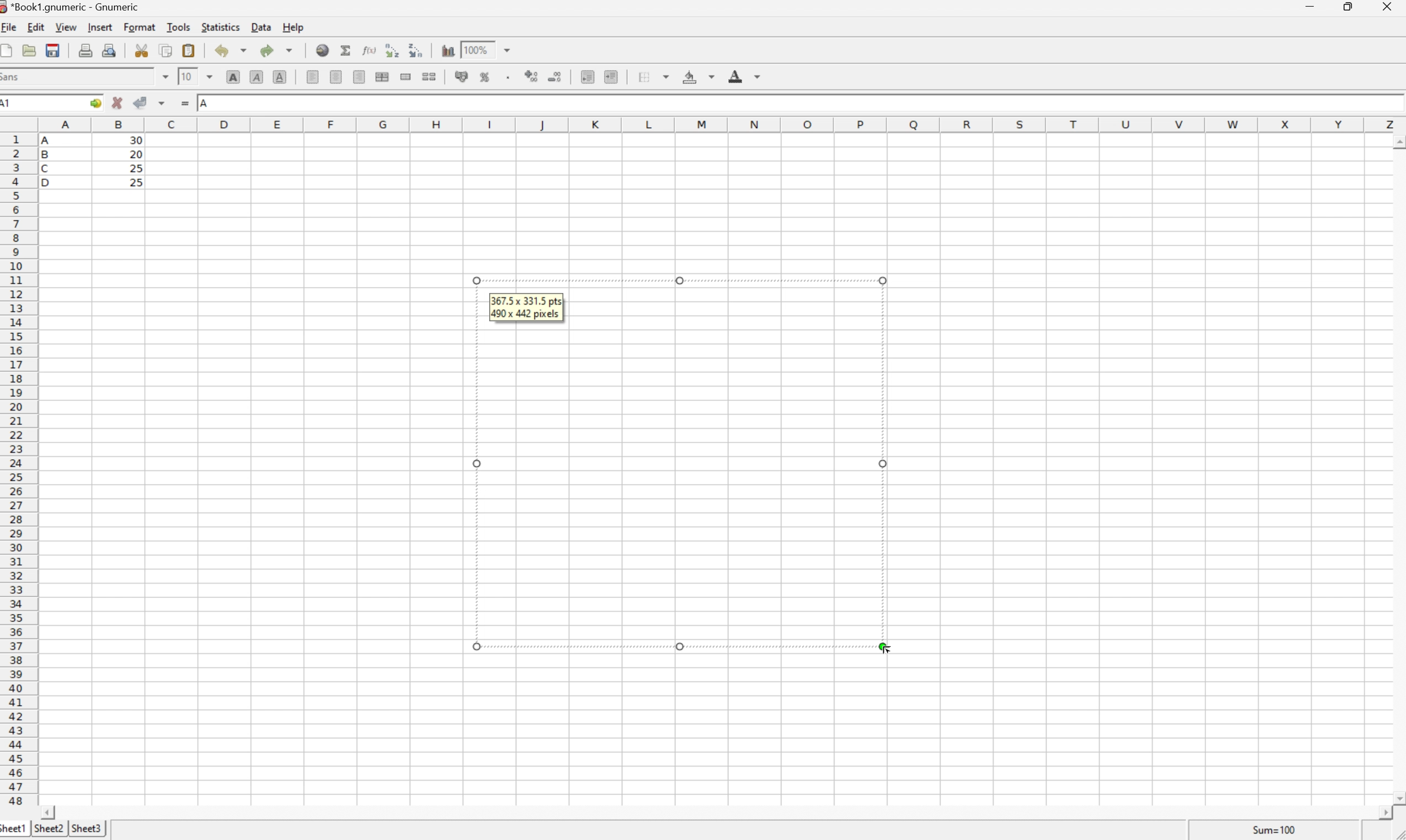 This screenshot has width=1406, height=840. Describe the element at coordinates (475, 466) in the screenshot. I see `` at that location.